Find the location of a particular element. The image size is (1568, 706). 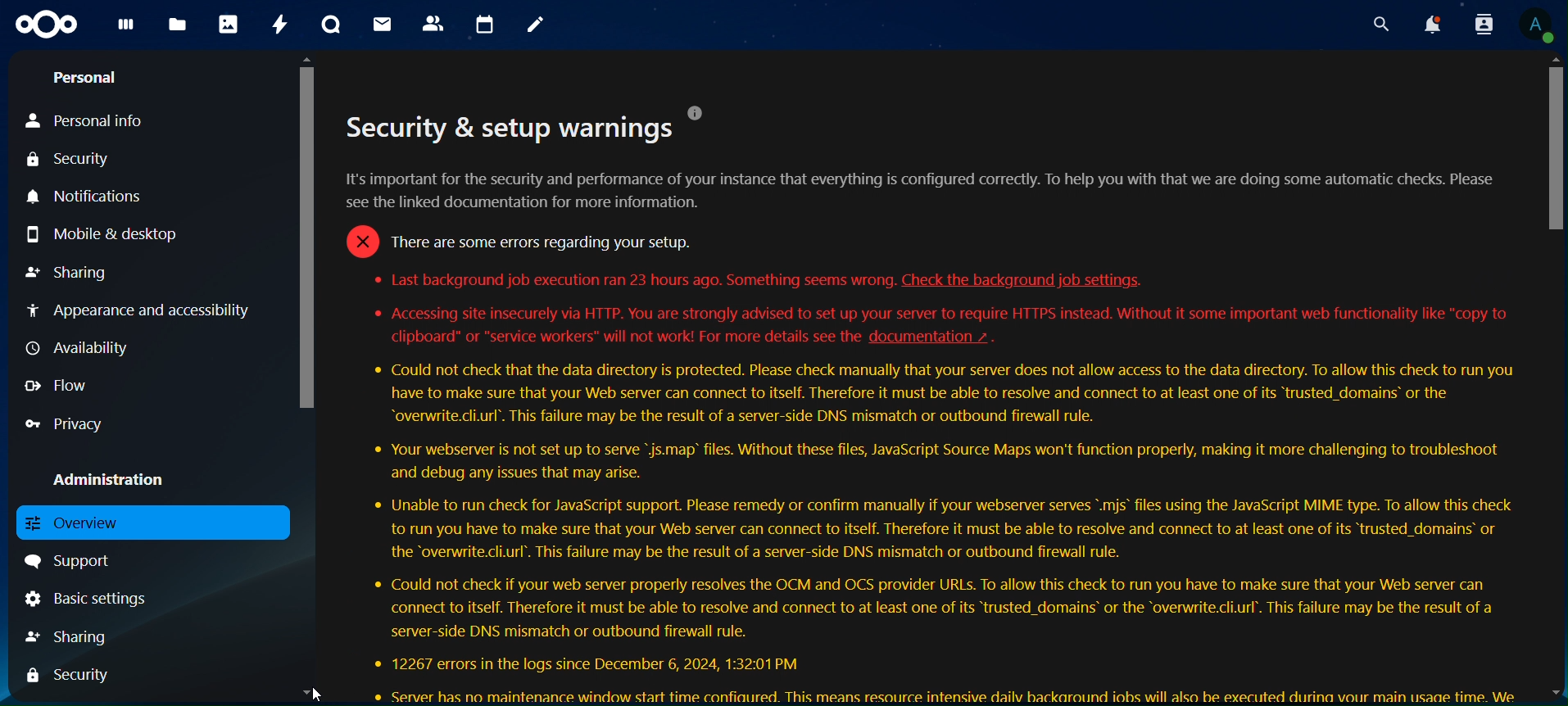

security is located at coordinates (71, 674).